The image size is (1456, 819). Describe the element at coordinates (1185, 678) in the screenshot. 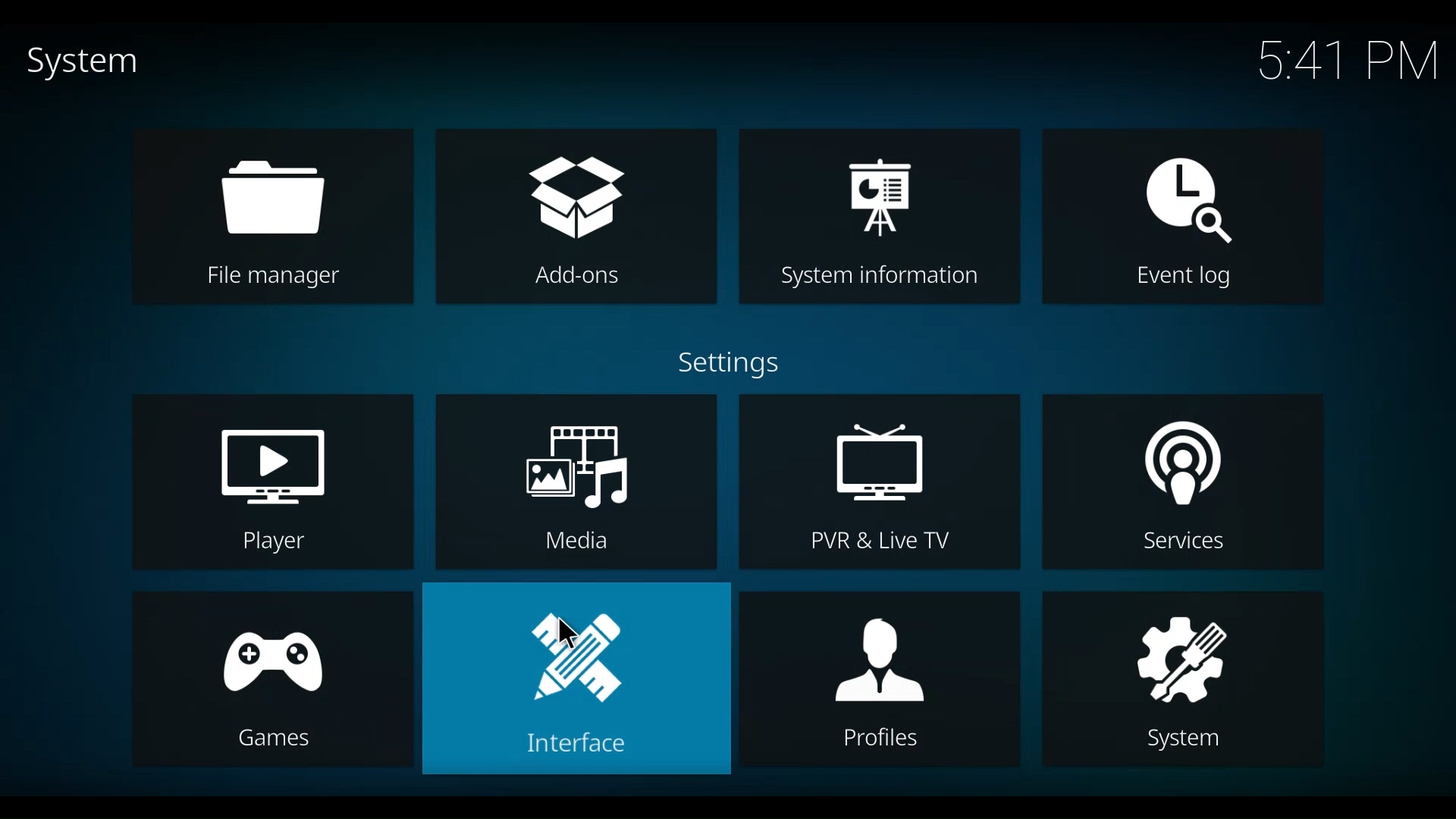

I see `System` at that location.